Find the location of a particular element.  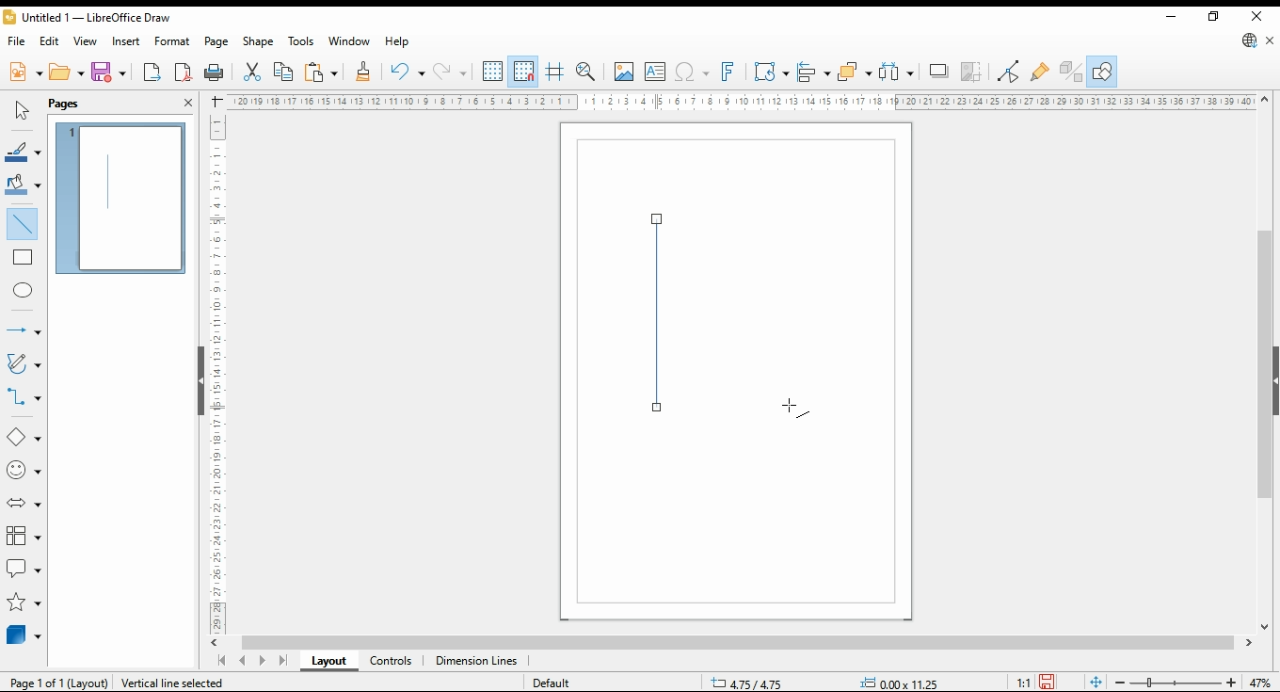

decrease zoom is located at coordinates (1118, 681).